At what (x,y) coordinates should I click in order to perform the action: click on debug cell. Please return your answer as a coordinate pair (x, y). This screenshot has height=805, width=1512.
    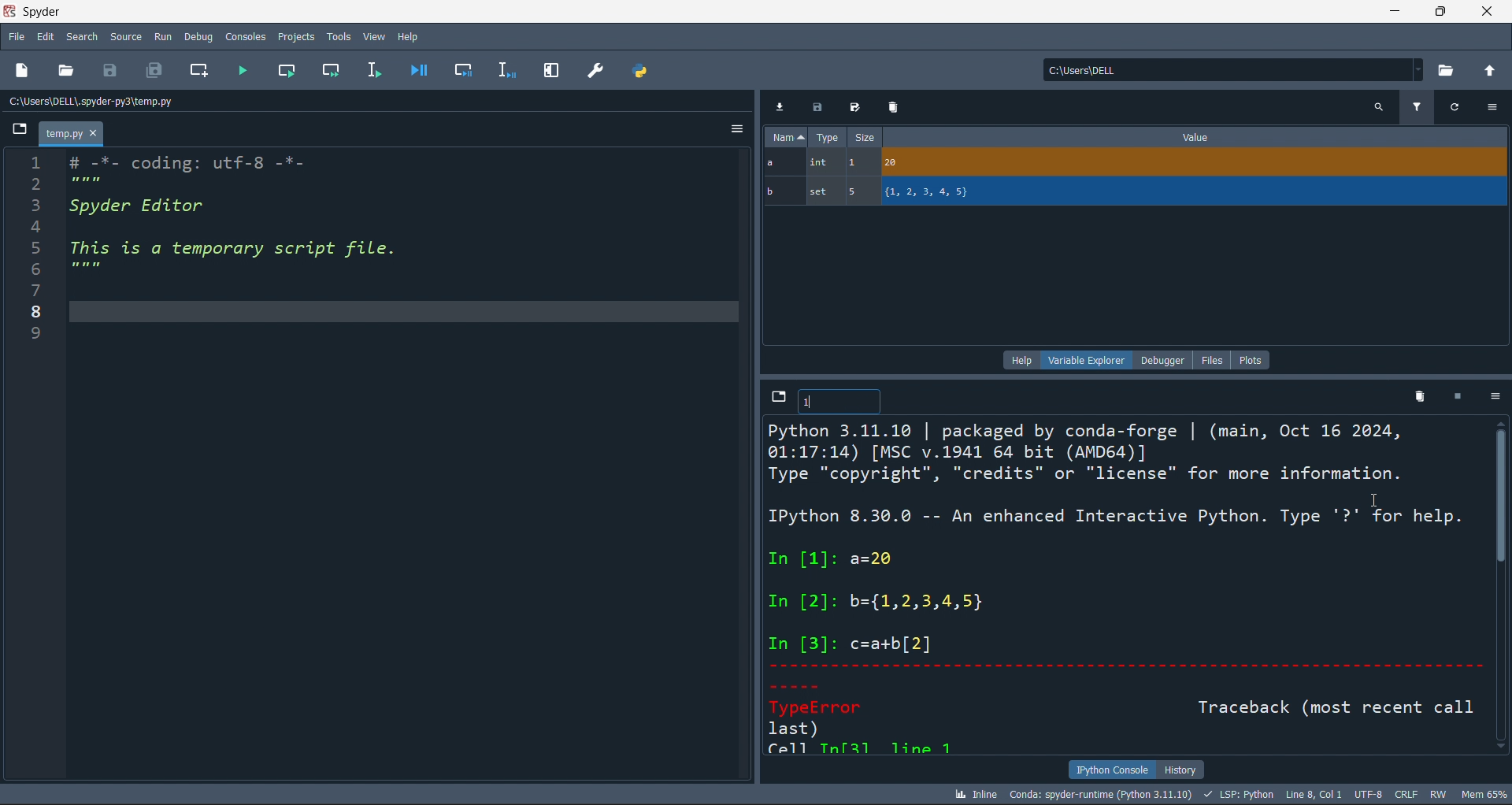
    Looking at the image, I should click on (455, 70).